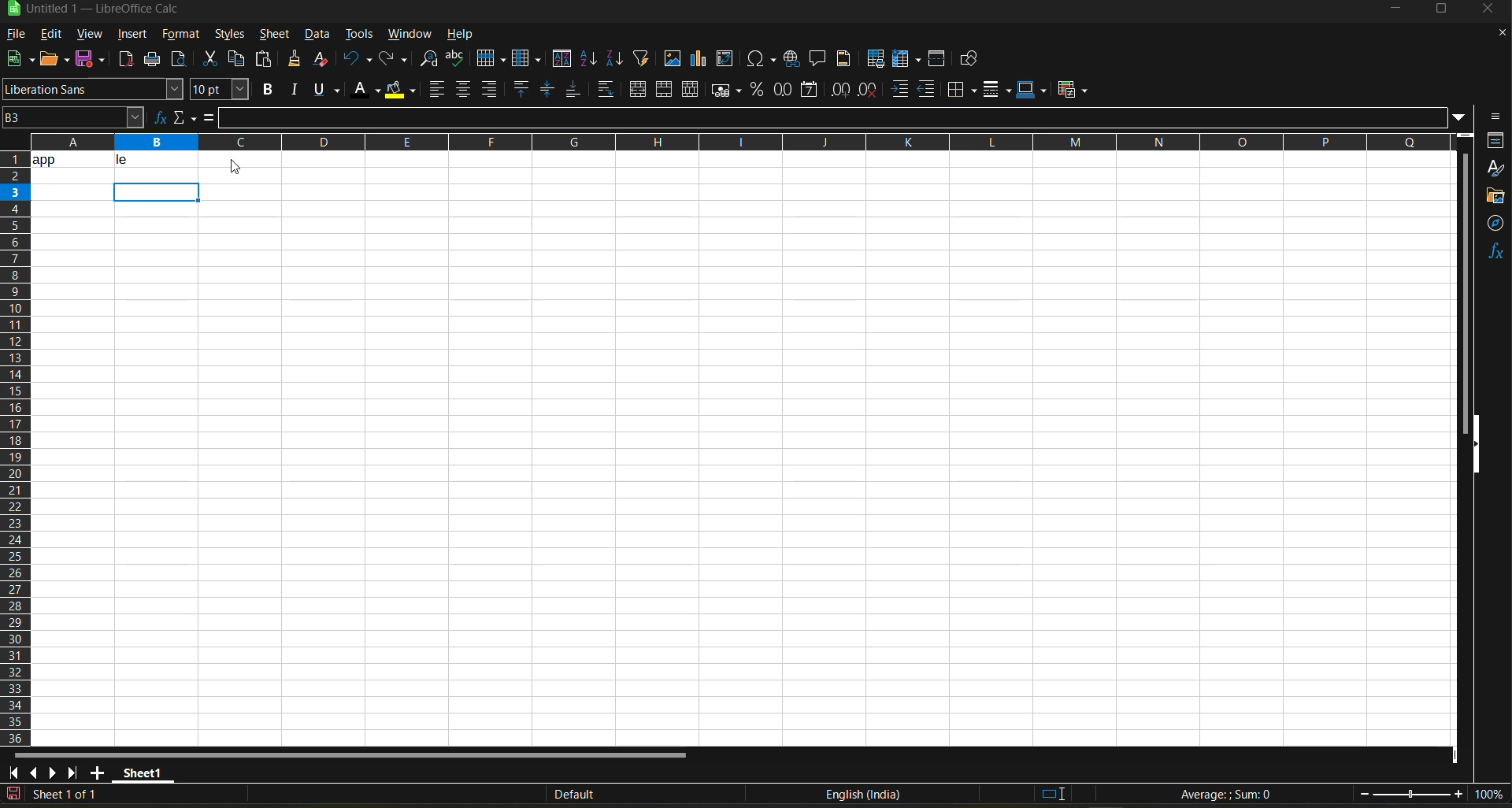 This screenshot has width=1512, height=808. Describe the element at coordinates (930, 90) in the screenshot. I see `decrease indent` at that location.